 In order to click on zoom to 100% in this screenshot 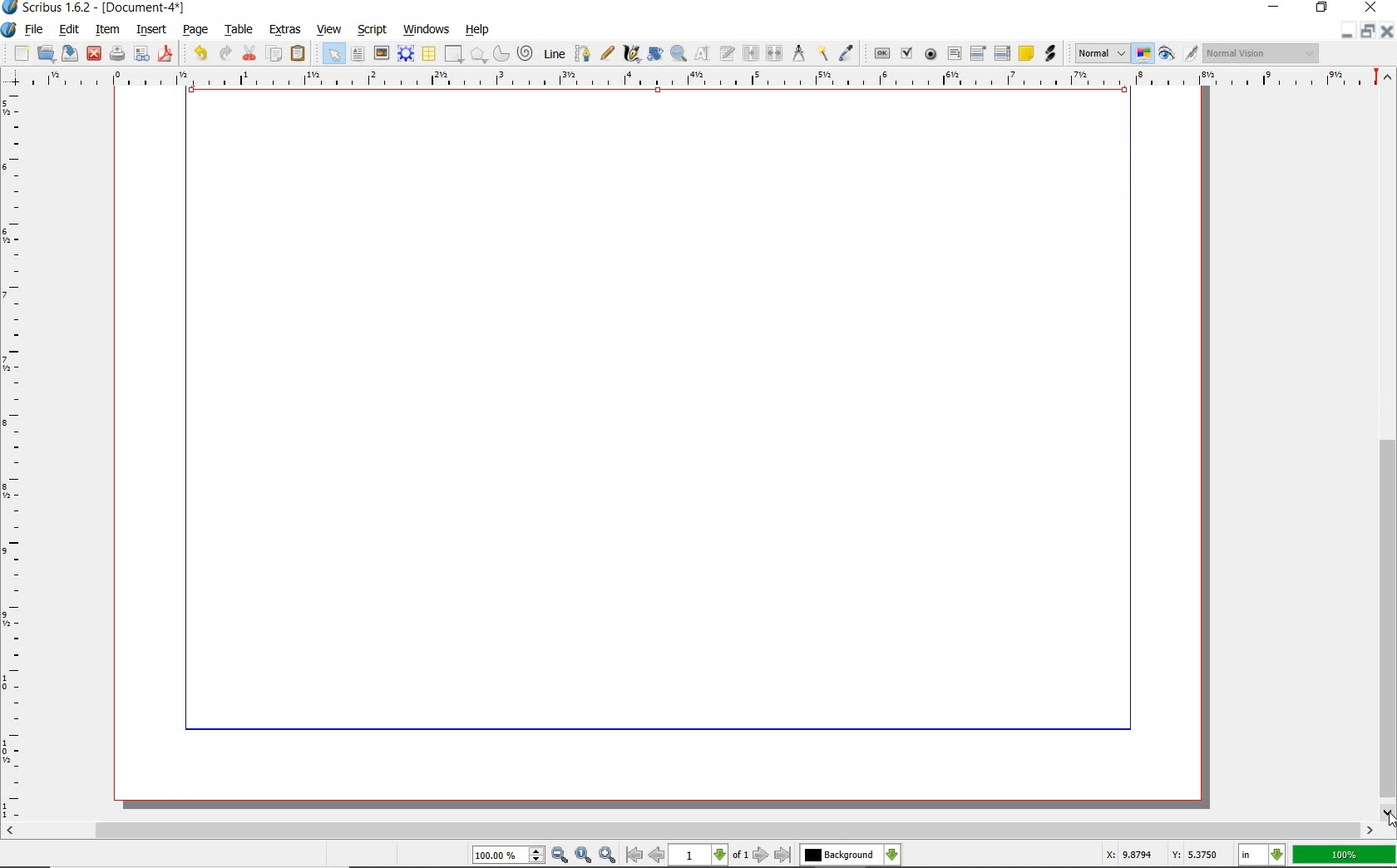, I will do `click(585, 855)`.